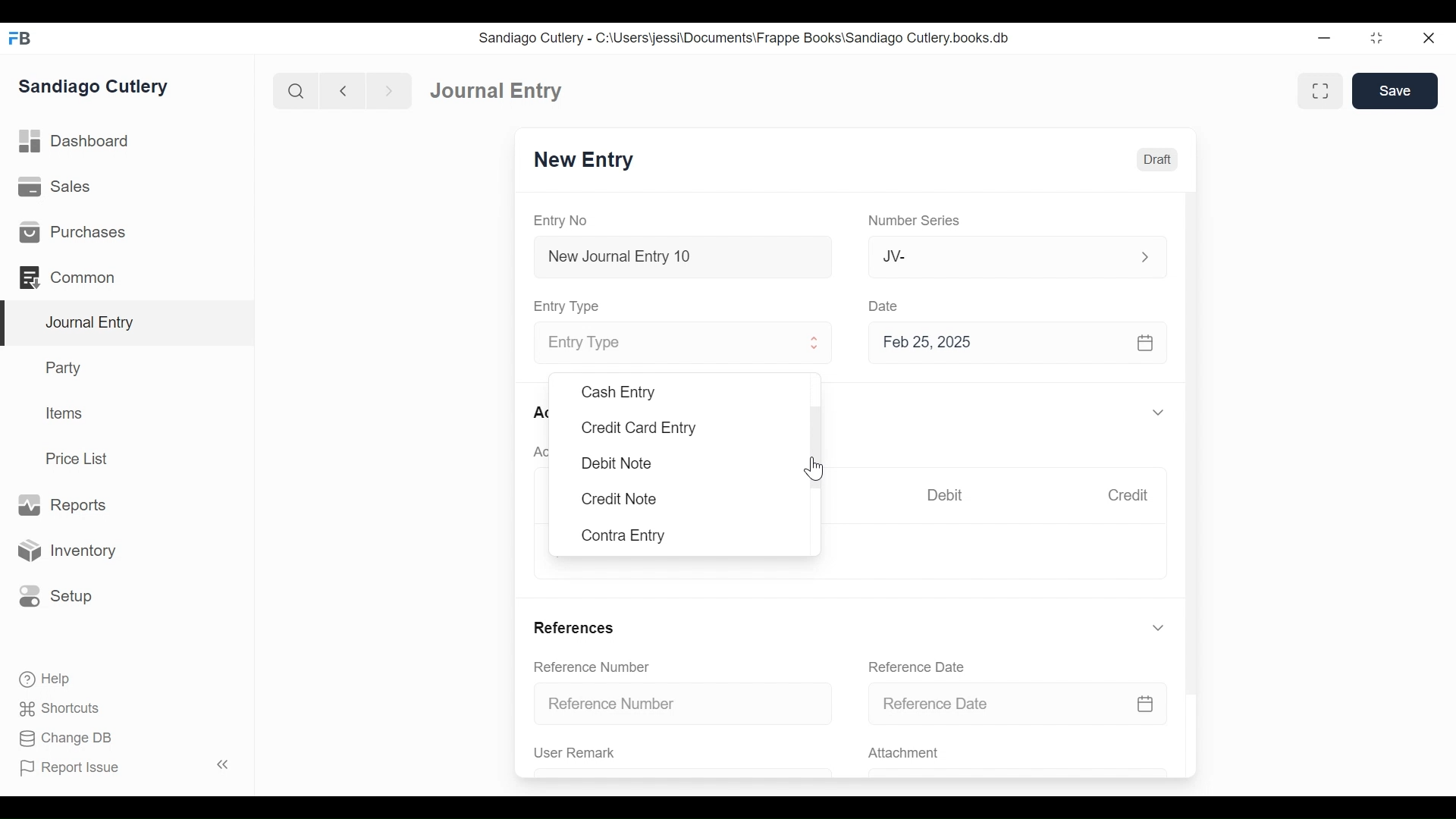  I want to click on Number Series, so click(917, 221).